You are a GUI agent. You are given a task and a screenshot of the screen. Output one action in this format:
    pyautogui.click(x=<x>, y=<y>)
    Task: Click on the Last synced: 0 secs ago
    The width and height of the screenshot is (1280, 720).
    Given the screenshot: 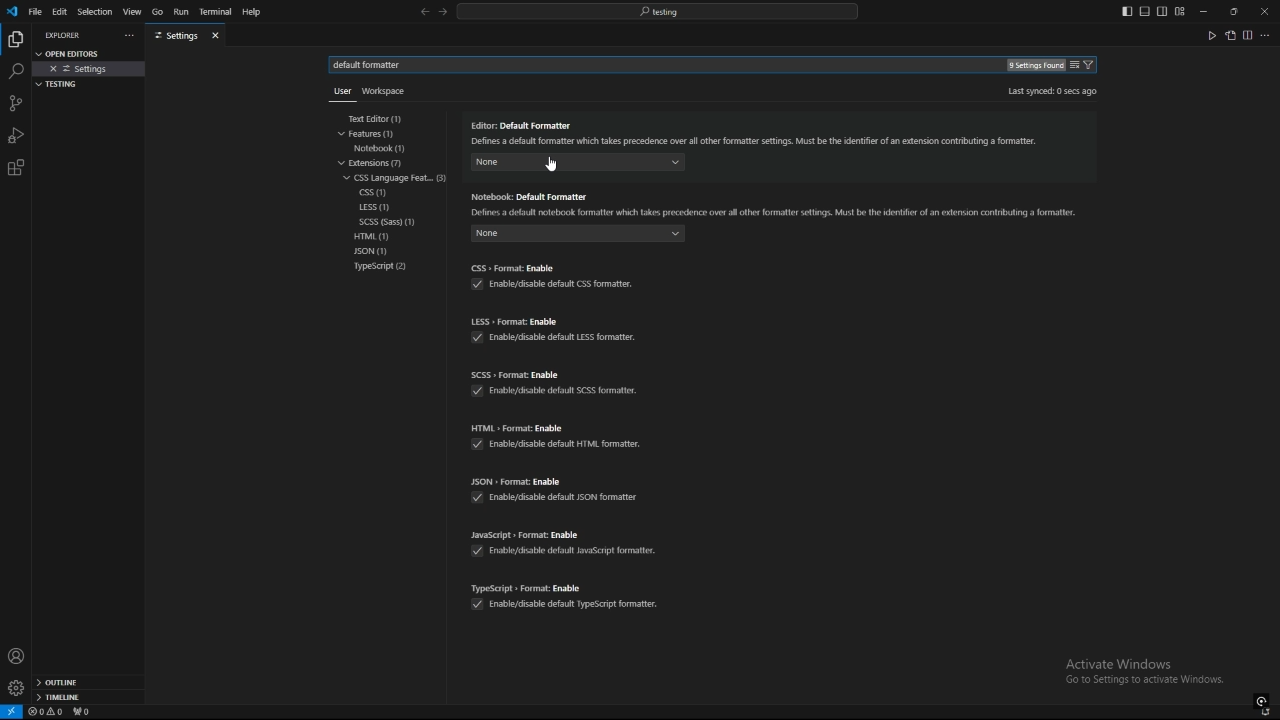 What is the action you would take?
    pyautogui.click(x=1051, y=91)
    